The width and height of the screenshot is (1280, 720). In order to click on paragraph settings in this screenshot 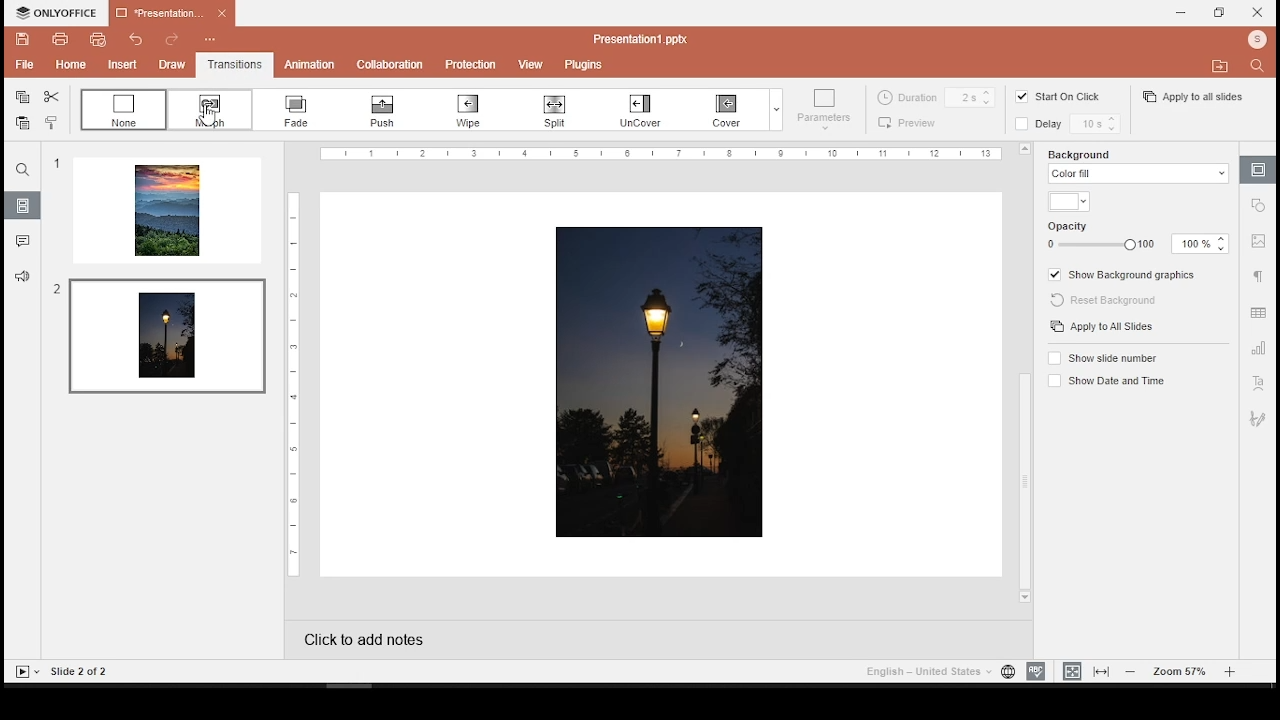, I will do `click(1260, 276)`.